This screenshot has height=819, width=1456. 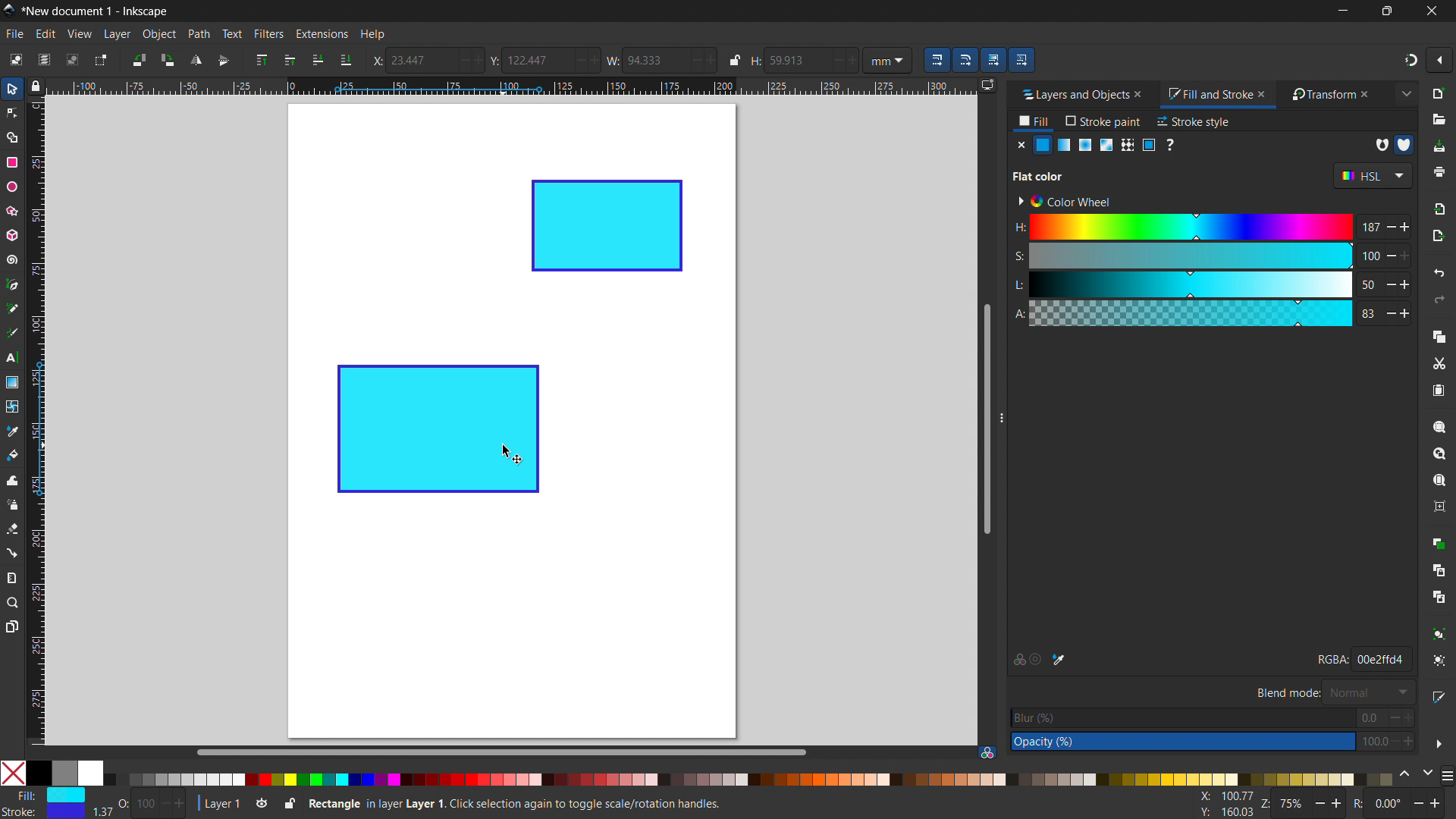 I want to click on 3D box tool, so click(x=11, y=234).